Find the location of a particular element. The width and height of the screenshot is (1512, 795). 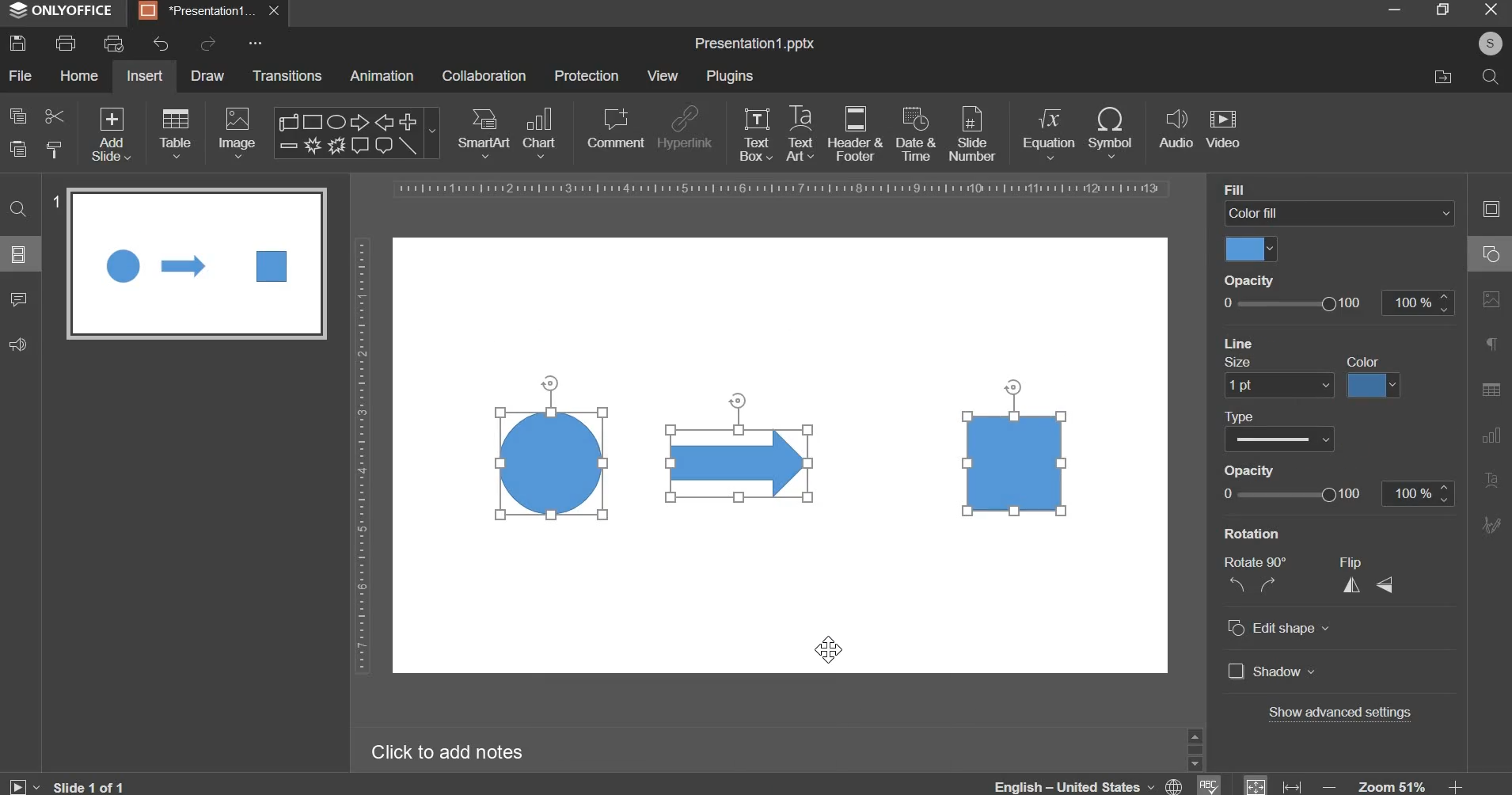

date & time is located at coordinates (916, 134).